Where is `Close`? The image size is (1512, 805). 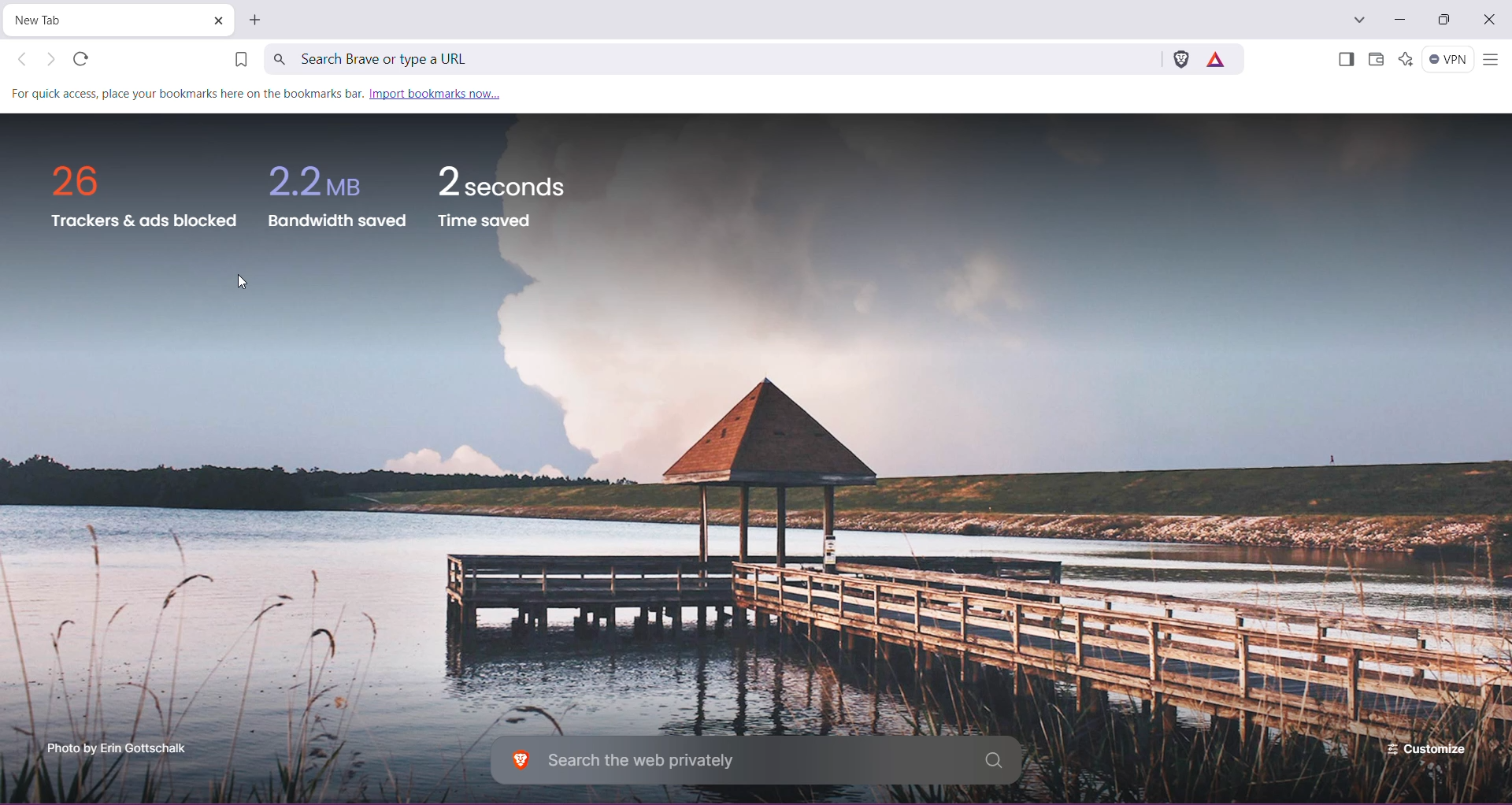
Close is located at coordinates (1491, 20).